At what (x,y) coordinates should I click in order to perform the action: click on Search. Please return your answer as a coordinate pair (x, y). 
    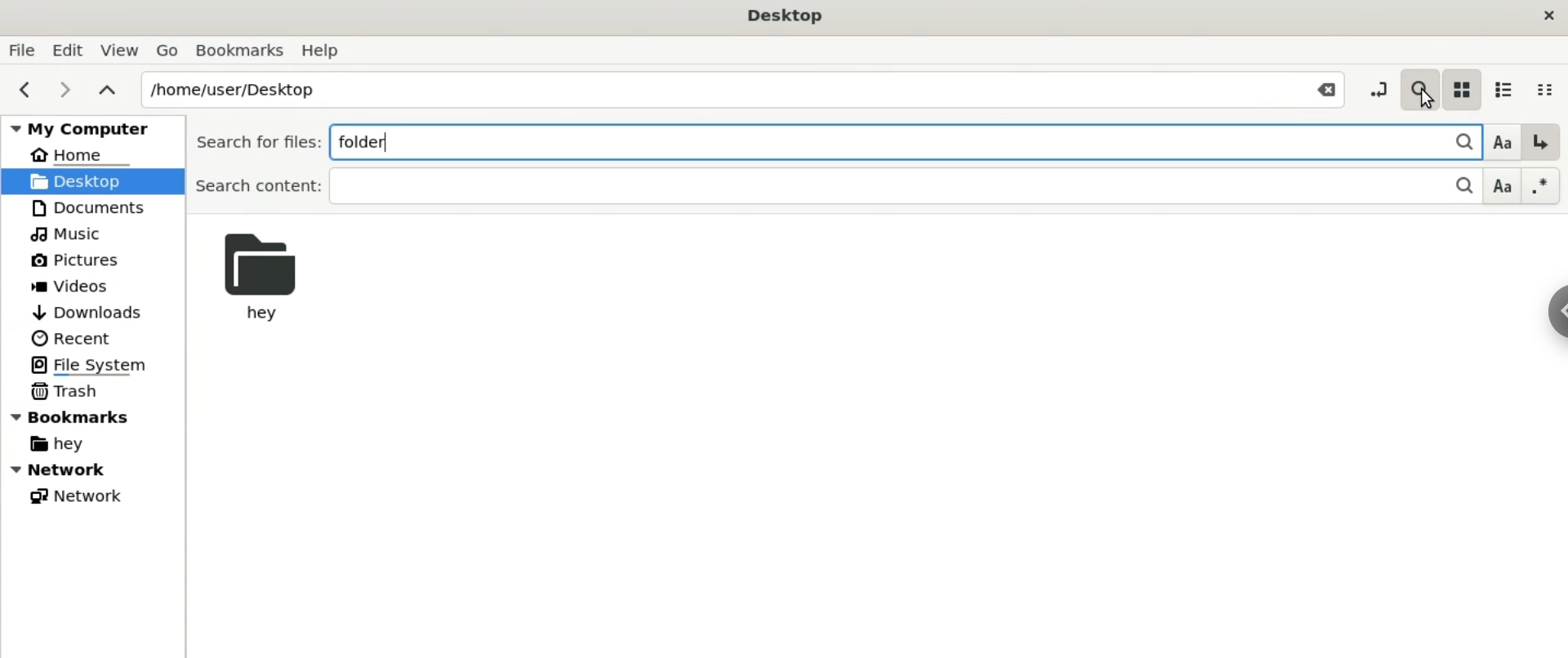
    Looking at the image, I should click on (1457, 188).